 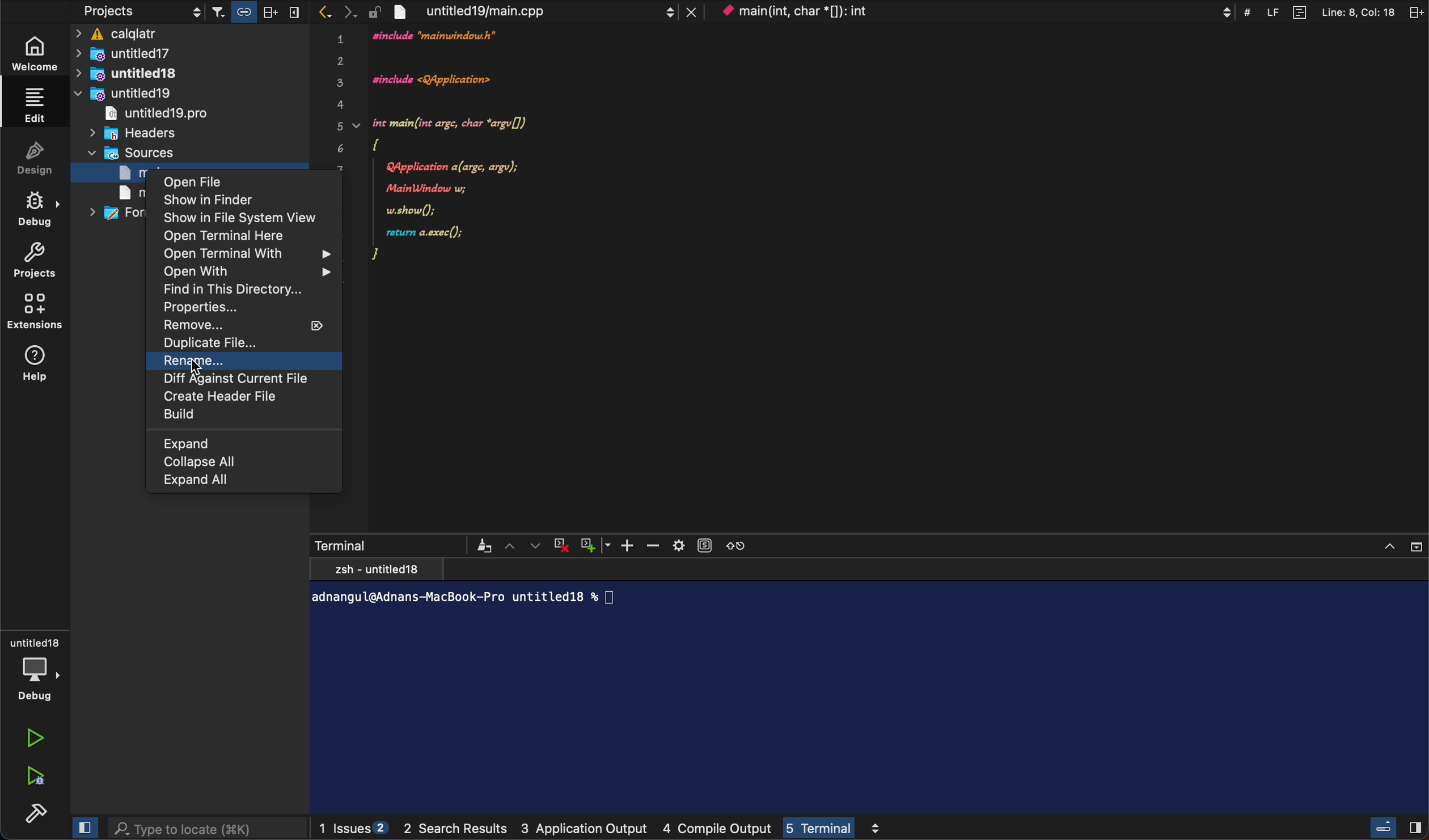 What do you see at coordinates (124, 193) in the screenshot?
I see `main window` at bounding box center [124, 193].